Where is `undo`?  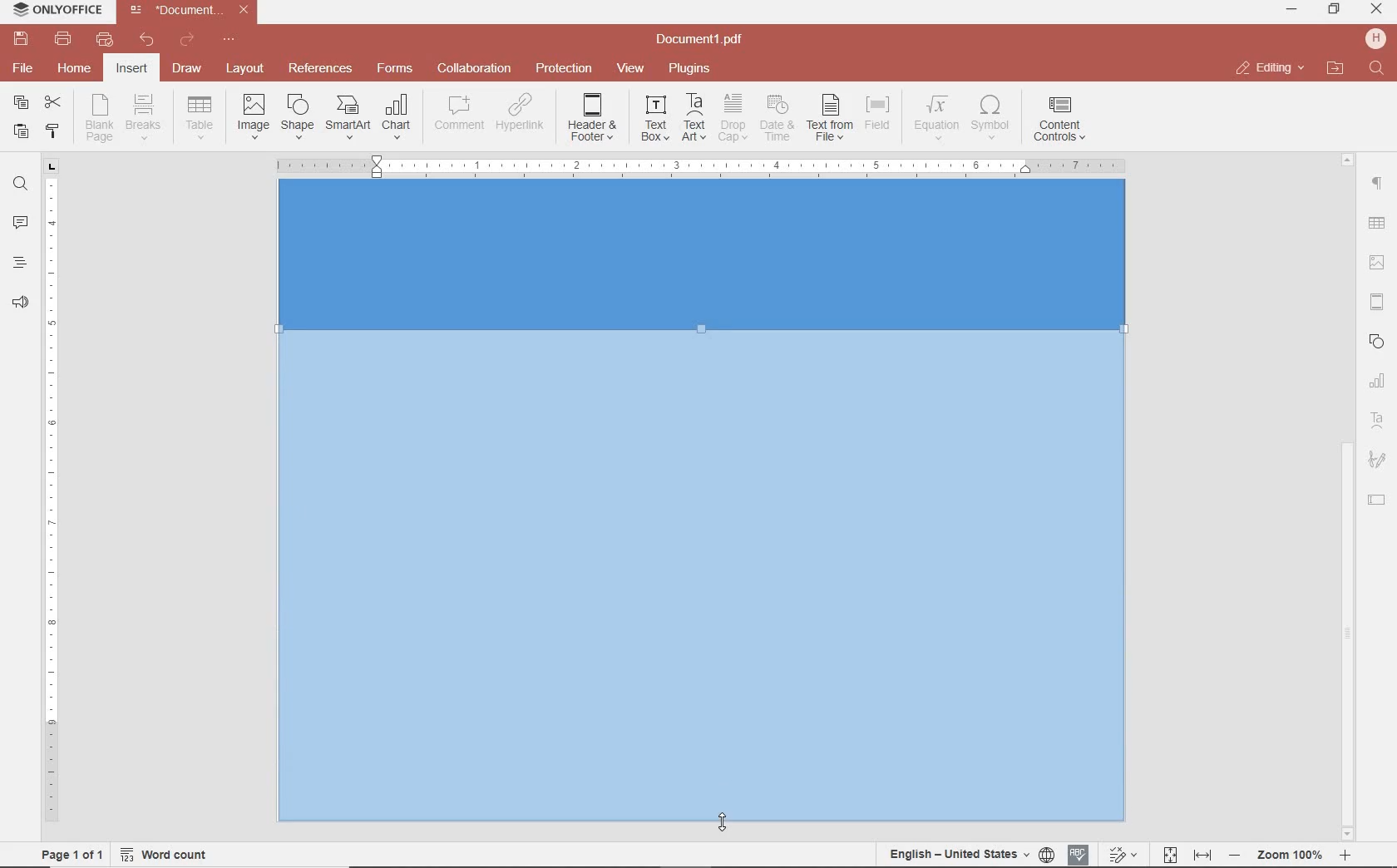 undo is located at coordinates (147, 40).